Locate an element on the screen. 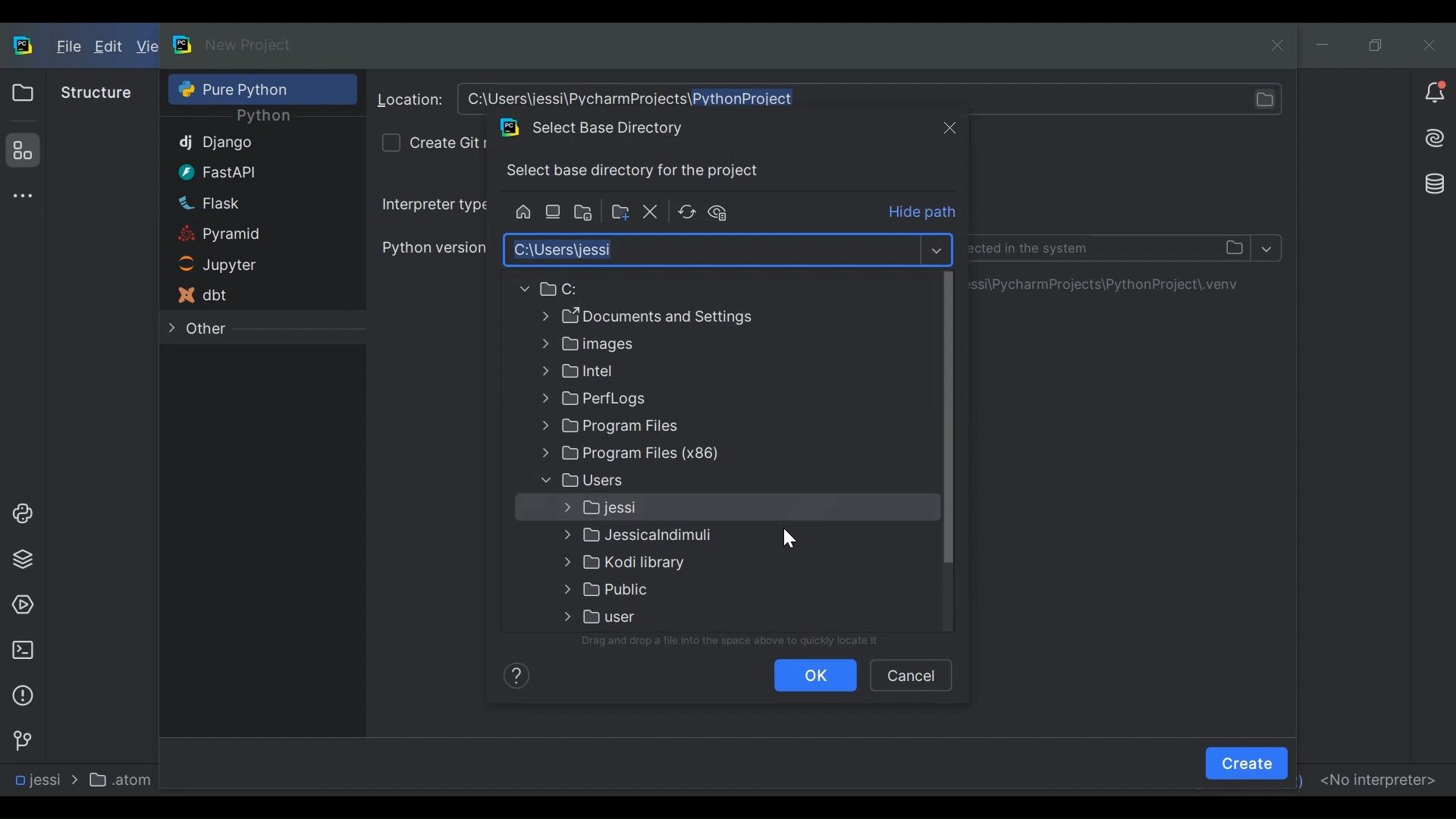 Image resolution: width=1456 pixels, height=819 pixels. View is located at coordinates (146, 47).